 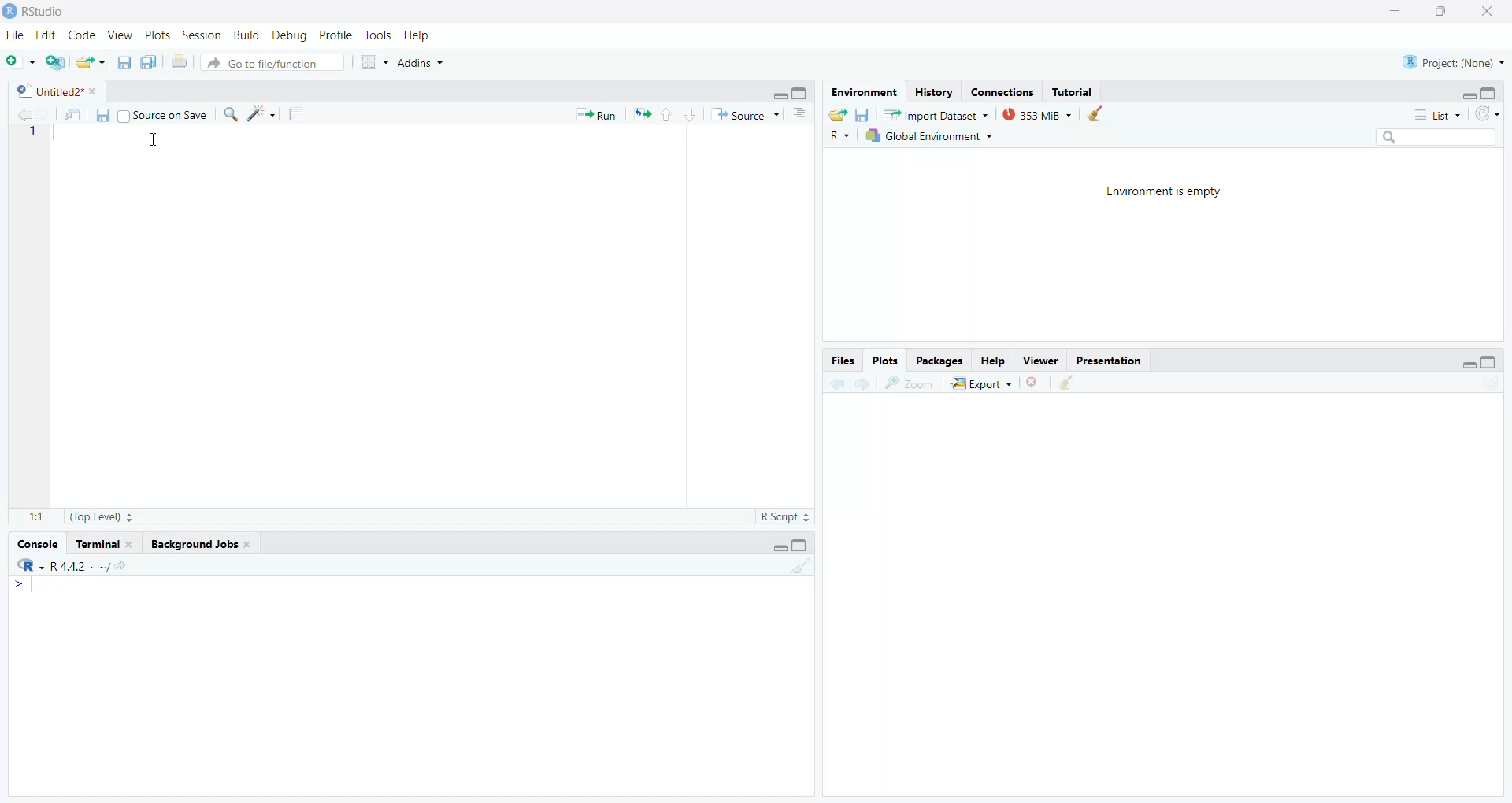 What do you see at coordinates (32, 516) in the screenshot?
I see `1:1` at bounding box center [32, 516].